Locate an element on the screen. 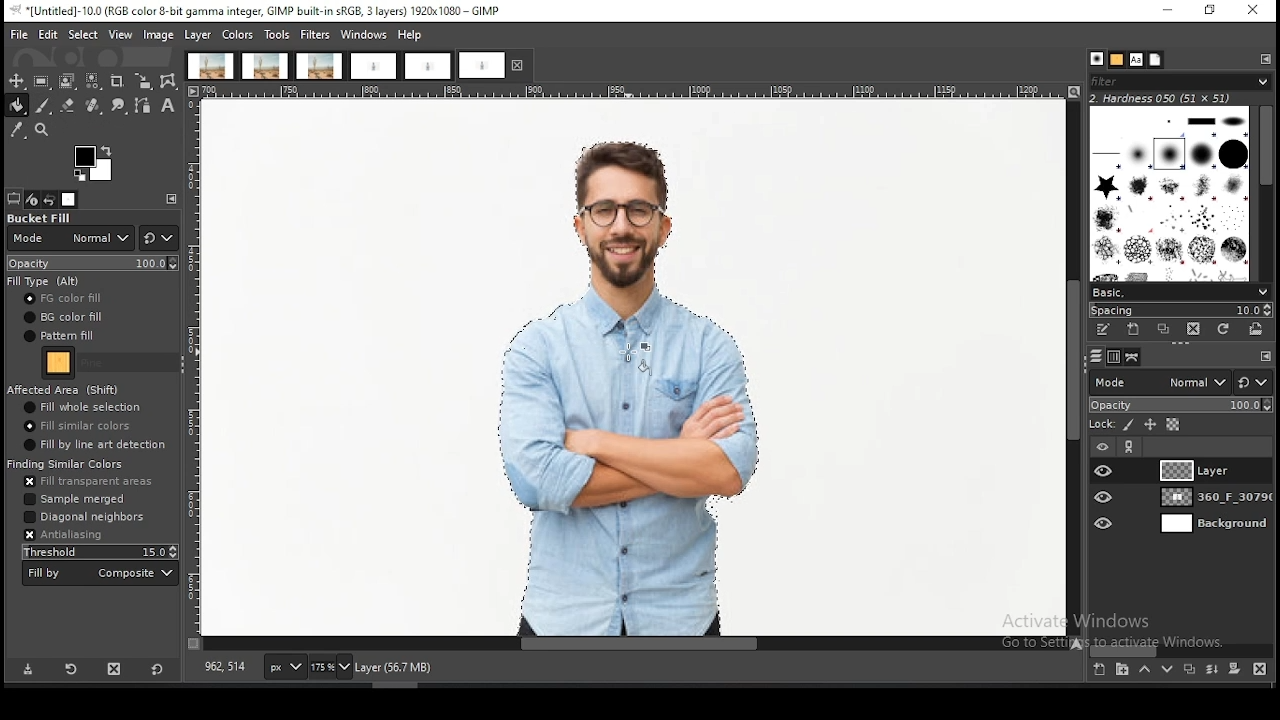 The width and height of the screenshot is (1280, 720). spacing is located at coordinates (1178, 311).